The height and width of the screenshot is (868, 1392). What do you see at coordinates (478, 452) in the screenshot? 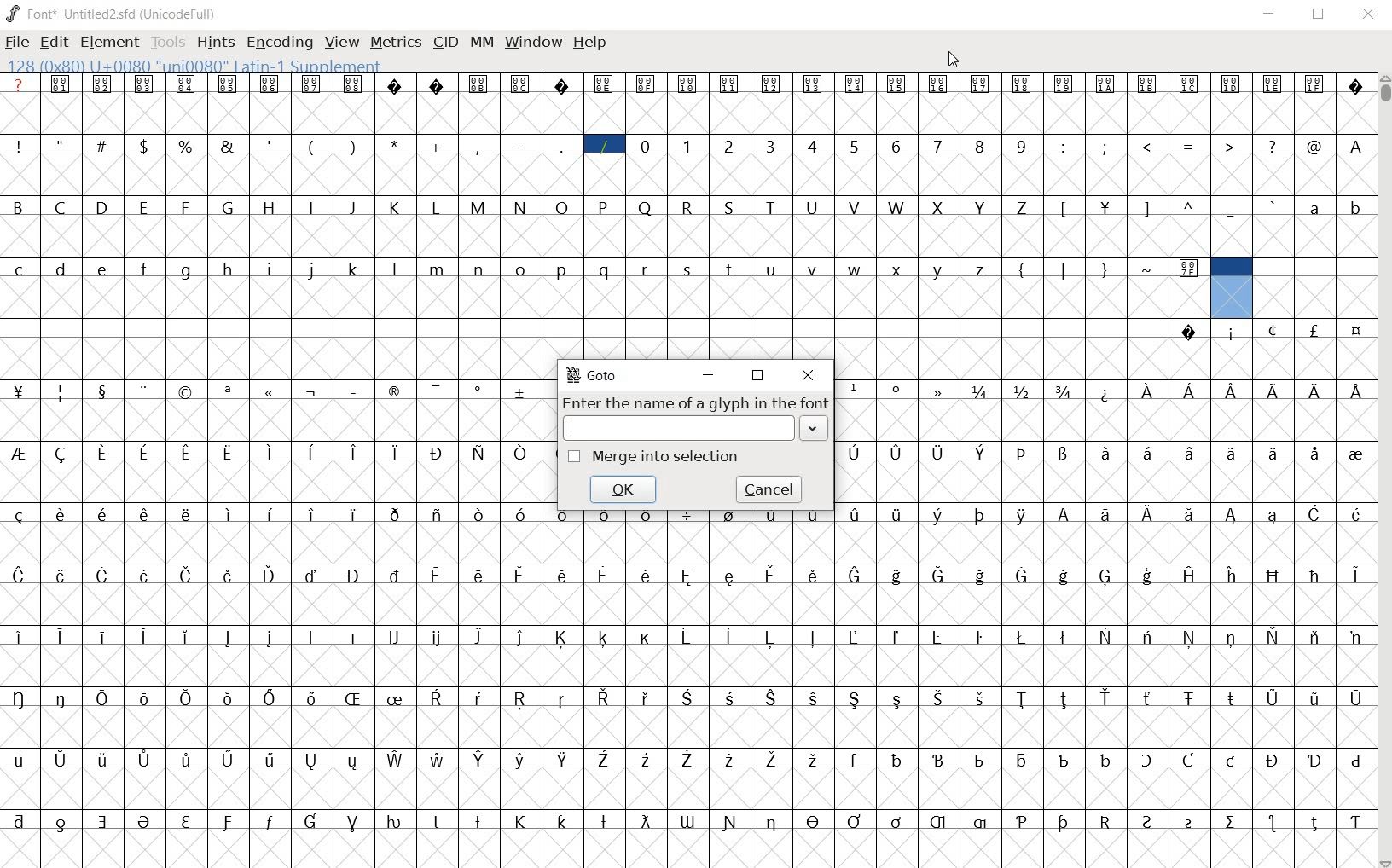
I see `Symbol` at bounding box center [478, 452].